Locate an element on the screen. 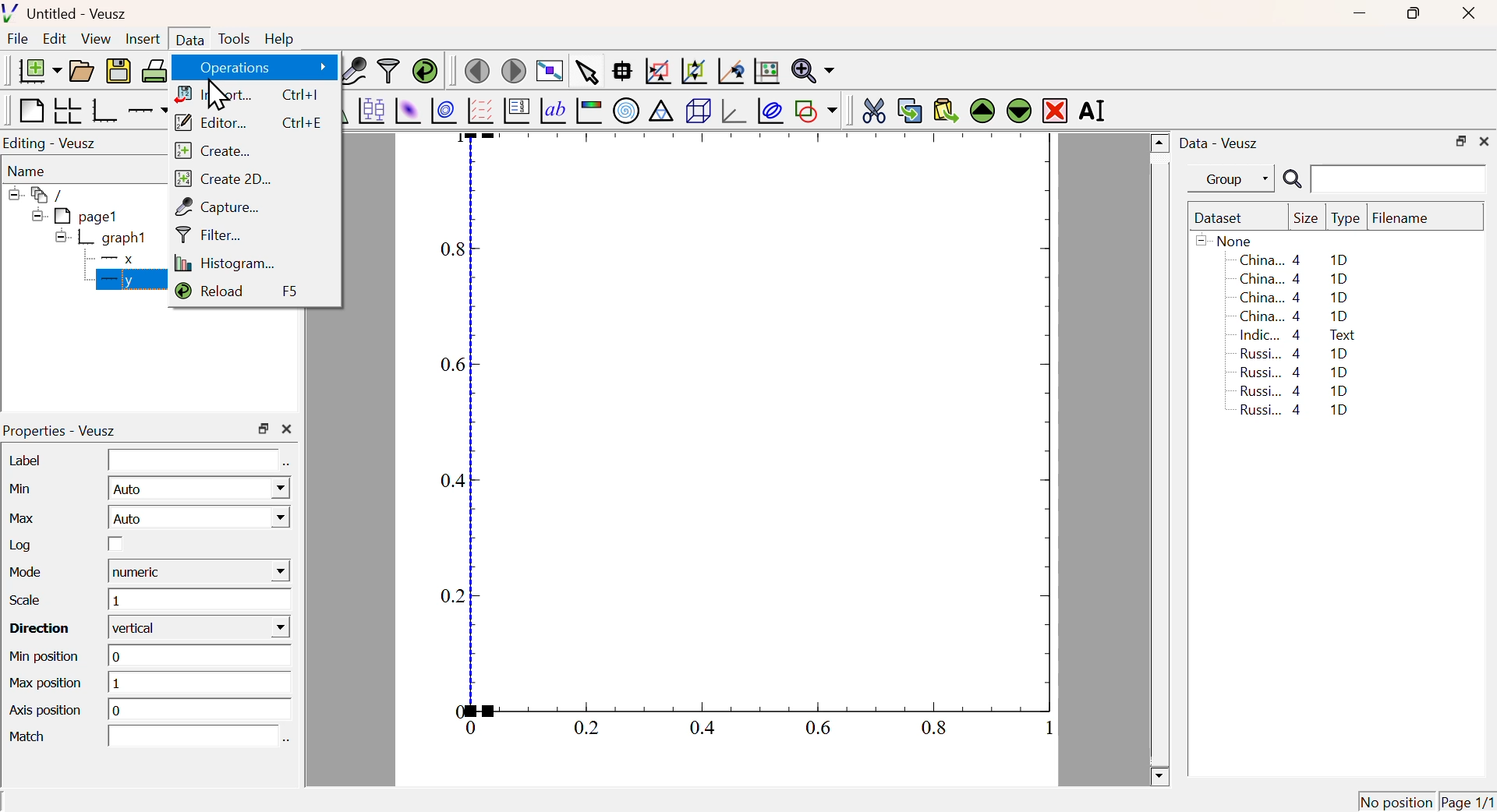 This screenshot has height=812, width=1497. Read Data points on graph is located at coordinates (622, 70).